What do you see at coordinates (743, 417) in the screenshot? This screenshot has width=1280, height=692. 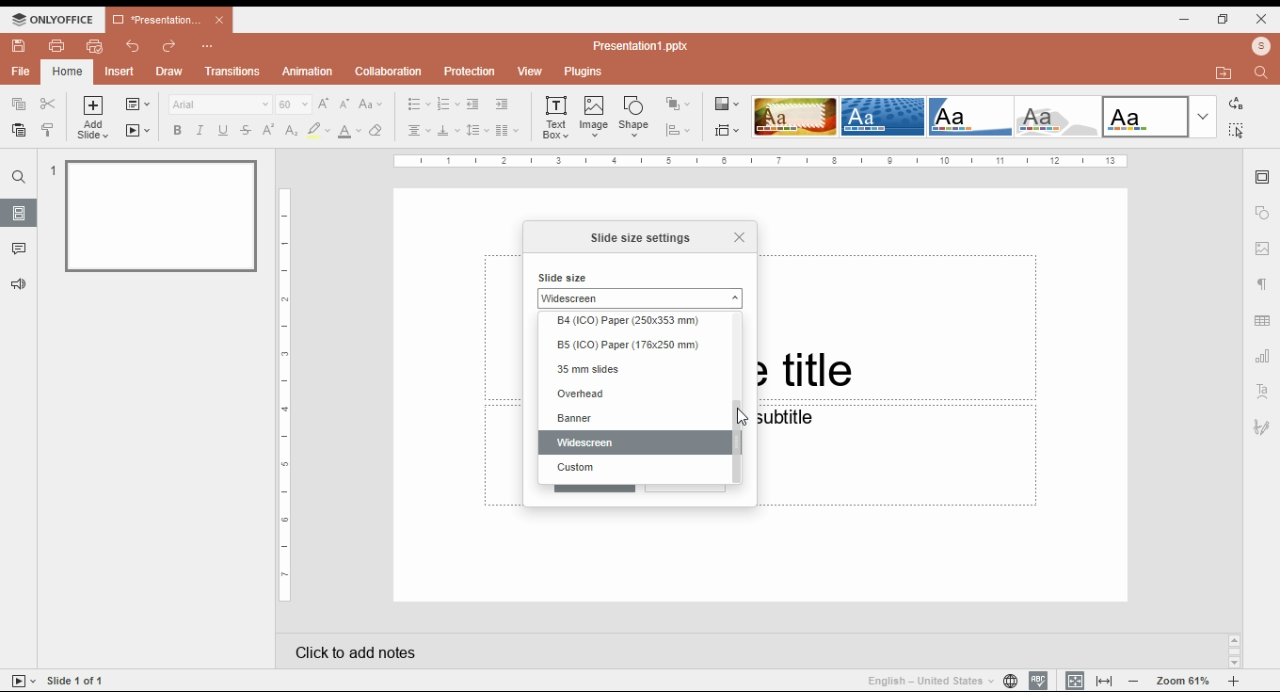 I see `Cursor` at bounding box center [743, 417].